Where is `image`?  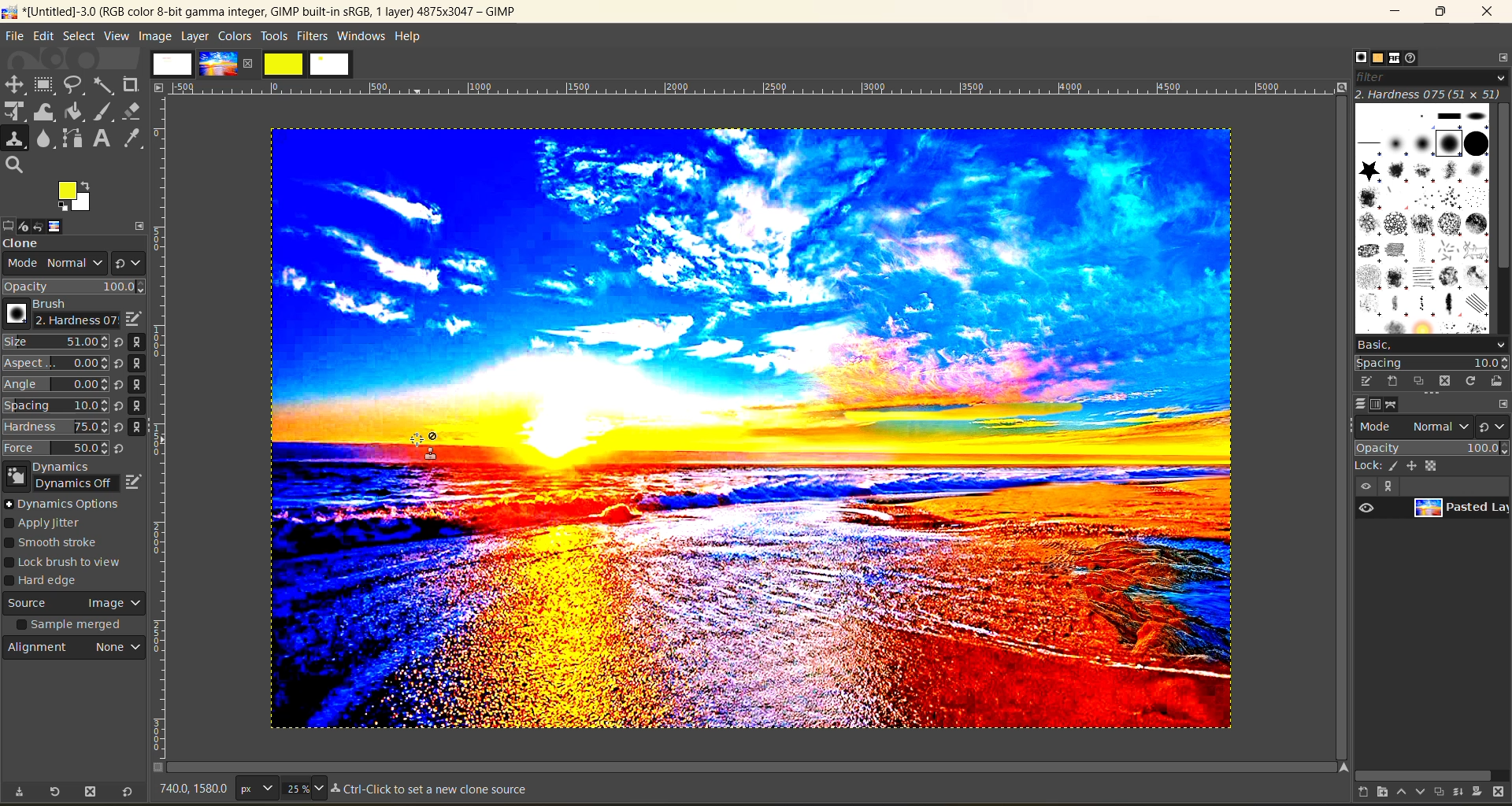
image is located at coordinates (746, 434).